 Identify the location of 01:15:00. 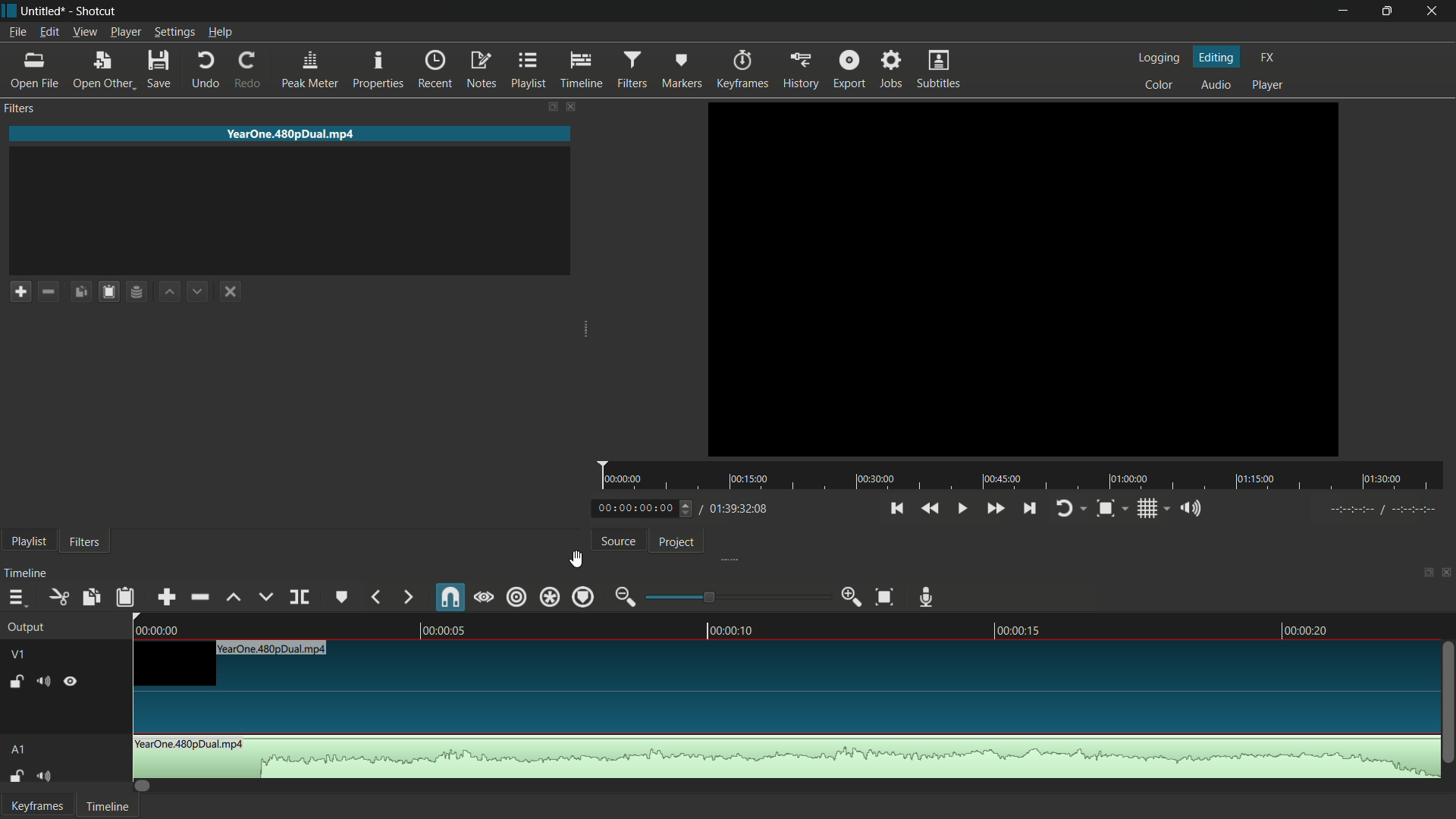
(1254, 479).